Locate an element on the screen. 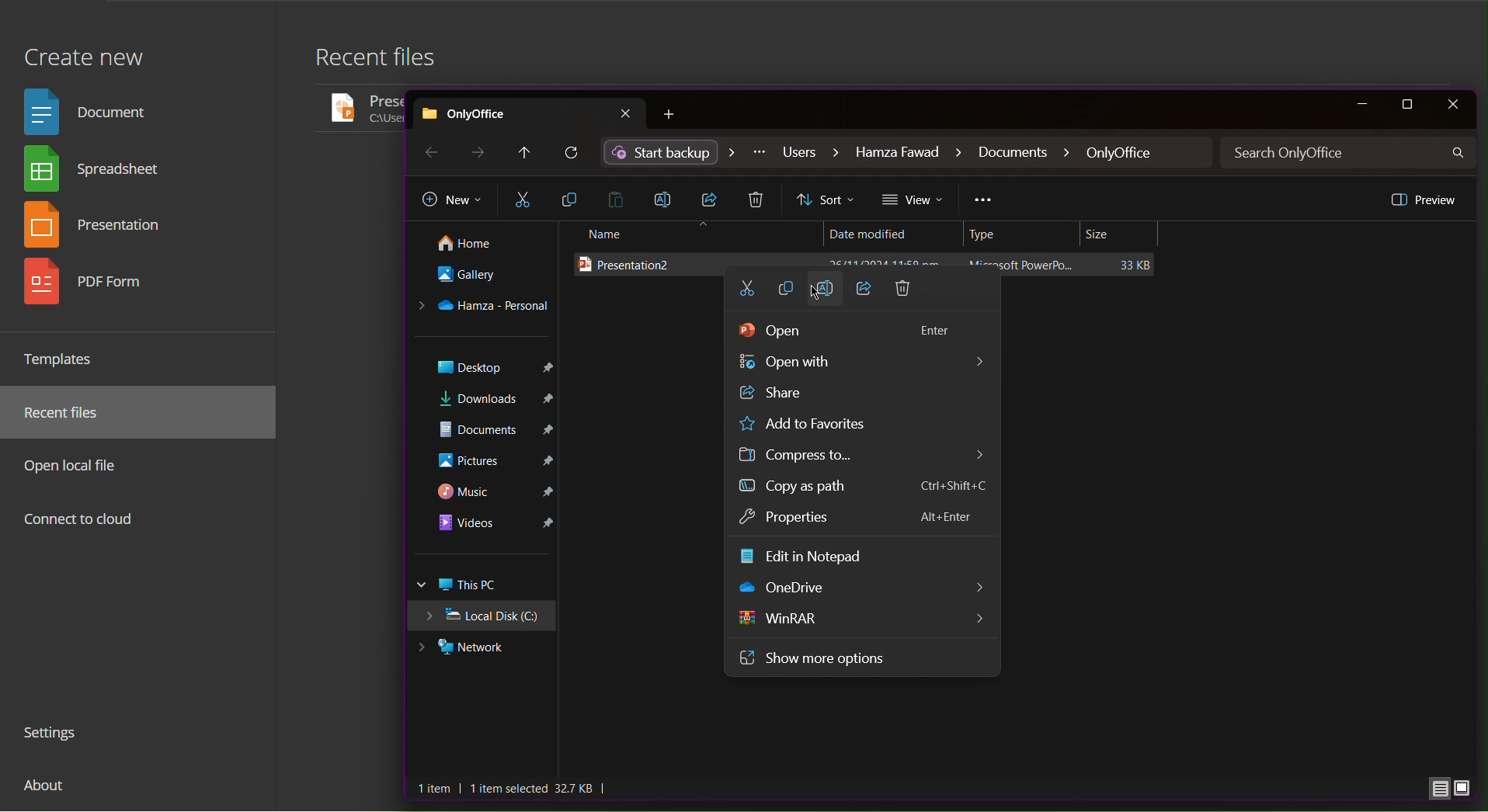 The width and height of the screenshot is (1488, 812). new is located at coordinates (676, 115).